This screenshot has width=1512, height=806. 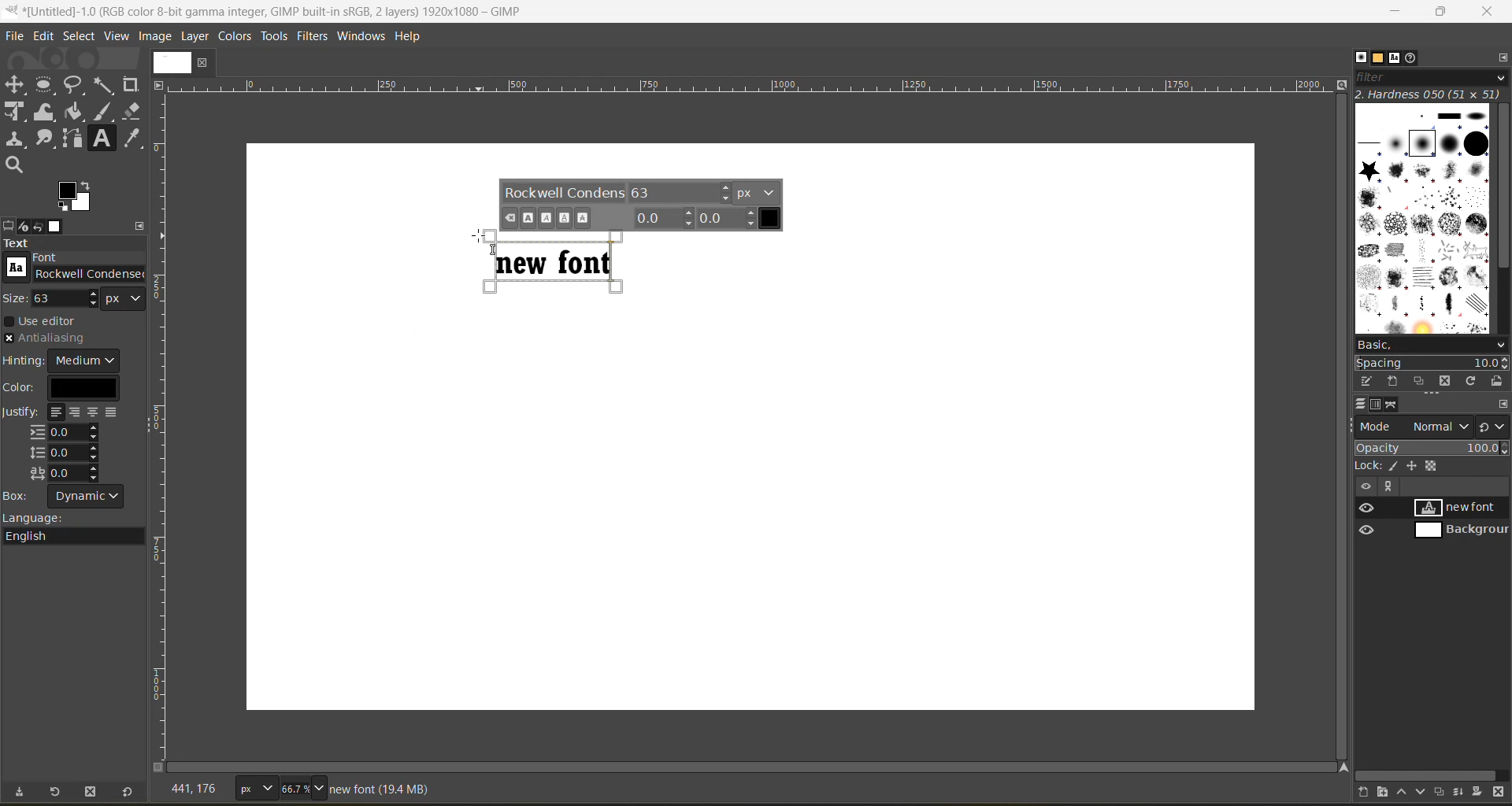 I want to click on color, so click(x=60, y=388).